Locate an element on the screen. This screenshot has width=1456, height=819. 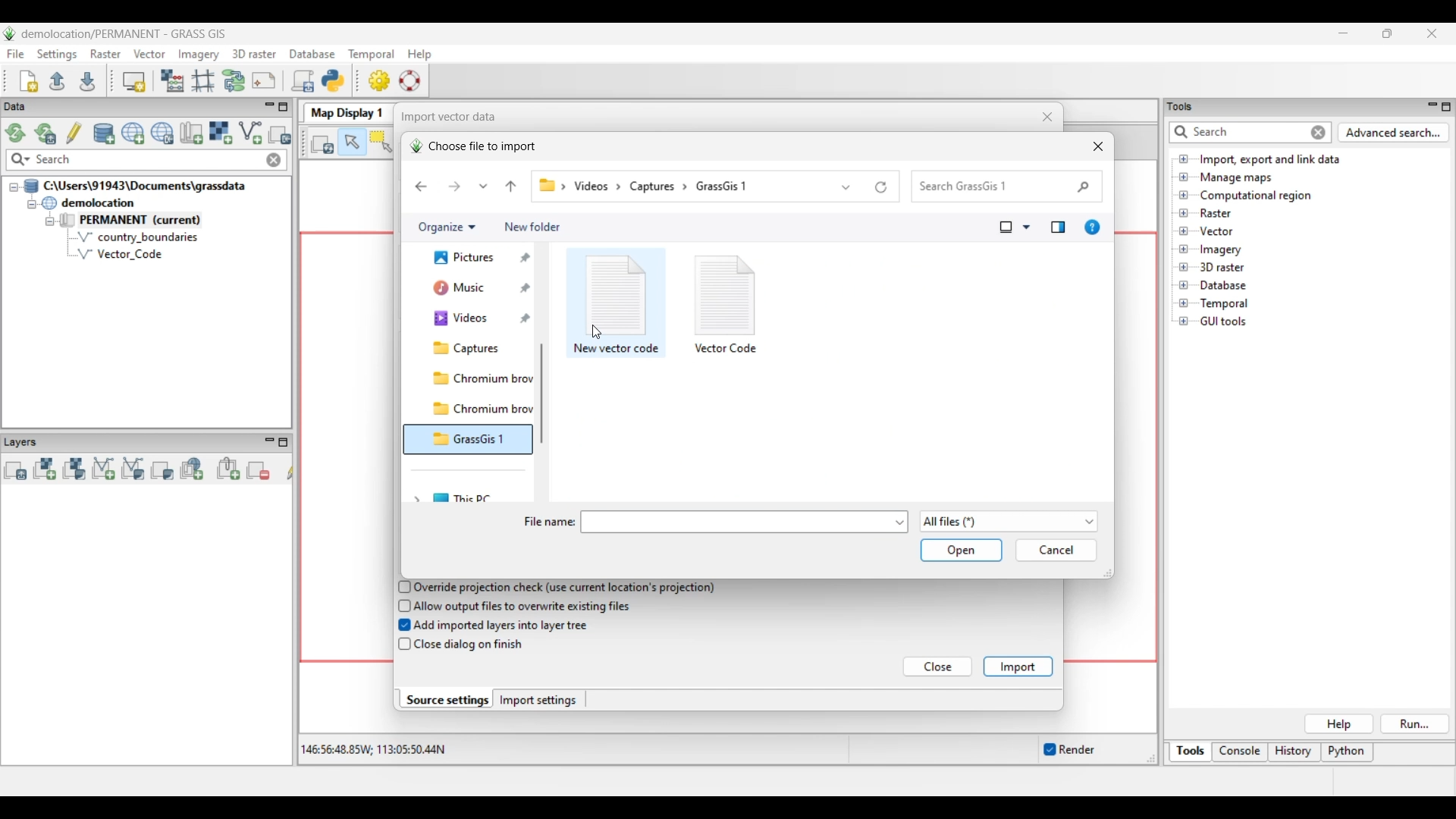
Database menu is located at coordinates (312, 55).